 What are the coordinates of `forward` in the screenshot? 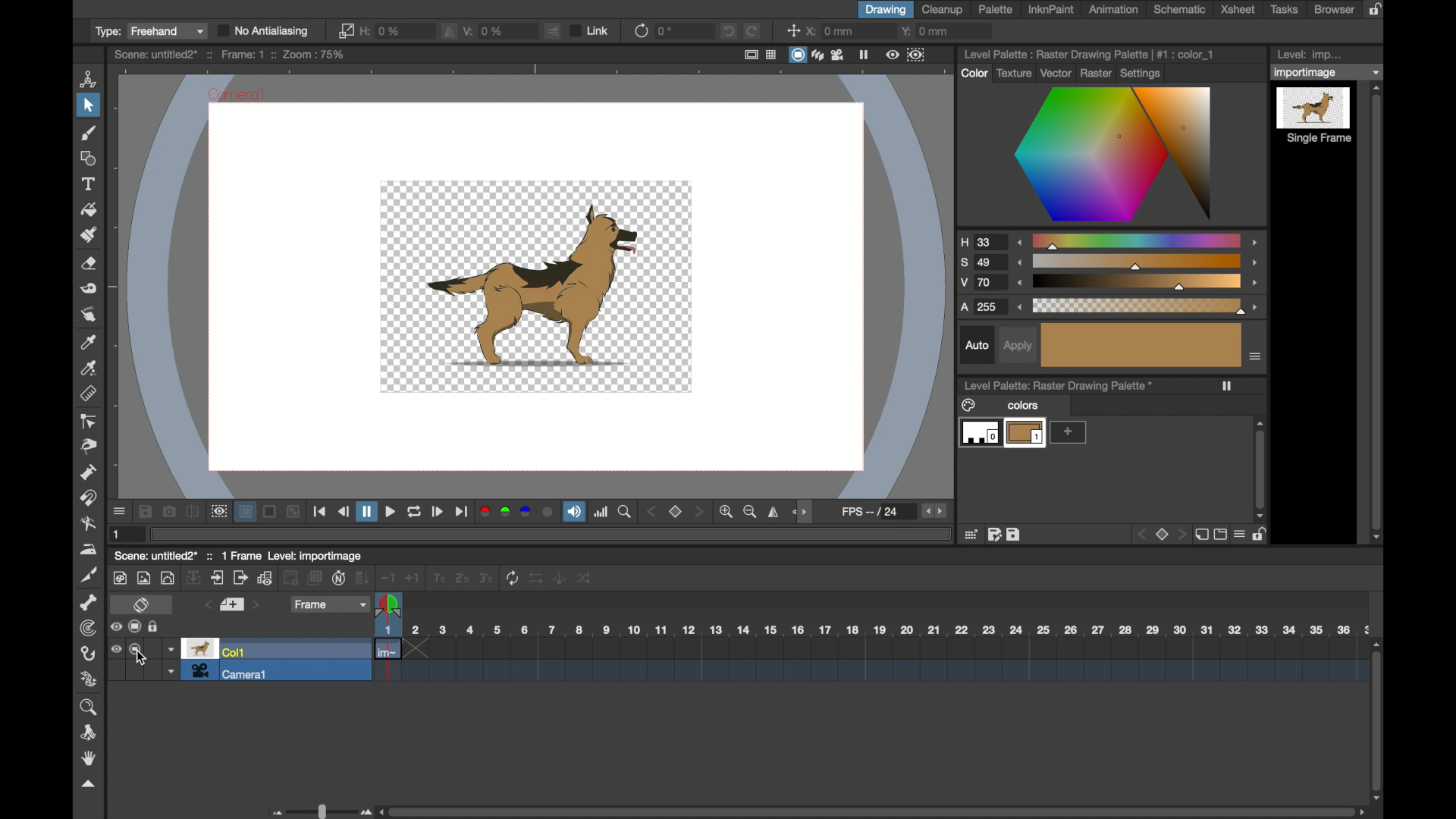 It's located at (391, 512).